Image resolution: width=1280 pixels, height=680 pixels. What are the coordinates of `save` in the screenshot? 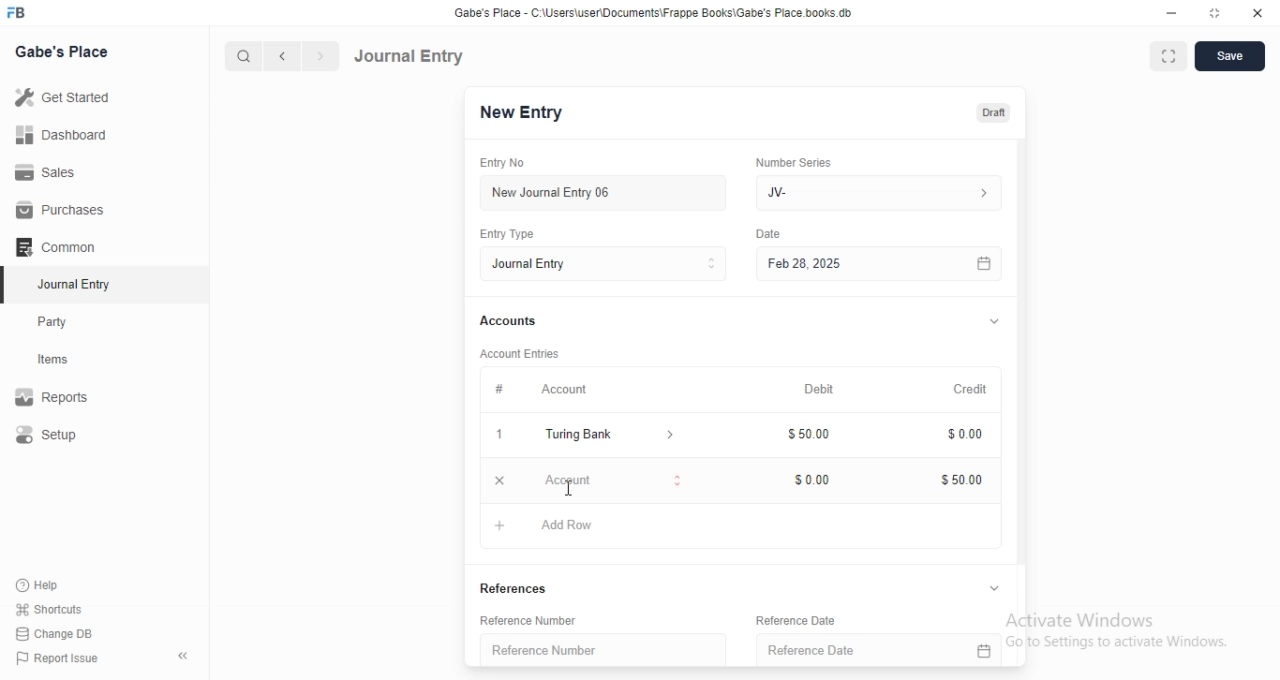 It's located at (1232, 56).